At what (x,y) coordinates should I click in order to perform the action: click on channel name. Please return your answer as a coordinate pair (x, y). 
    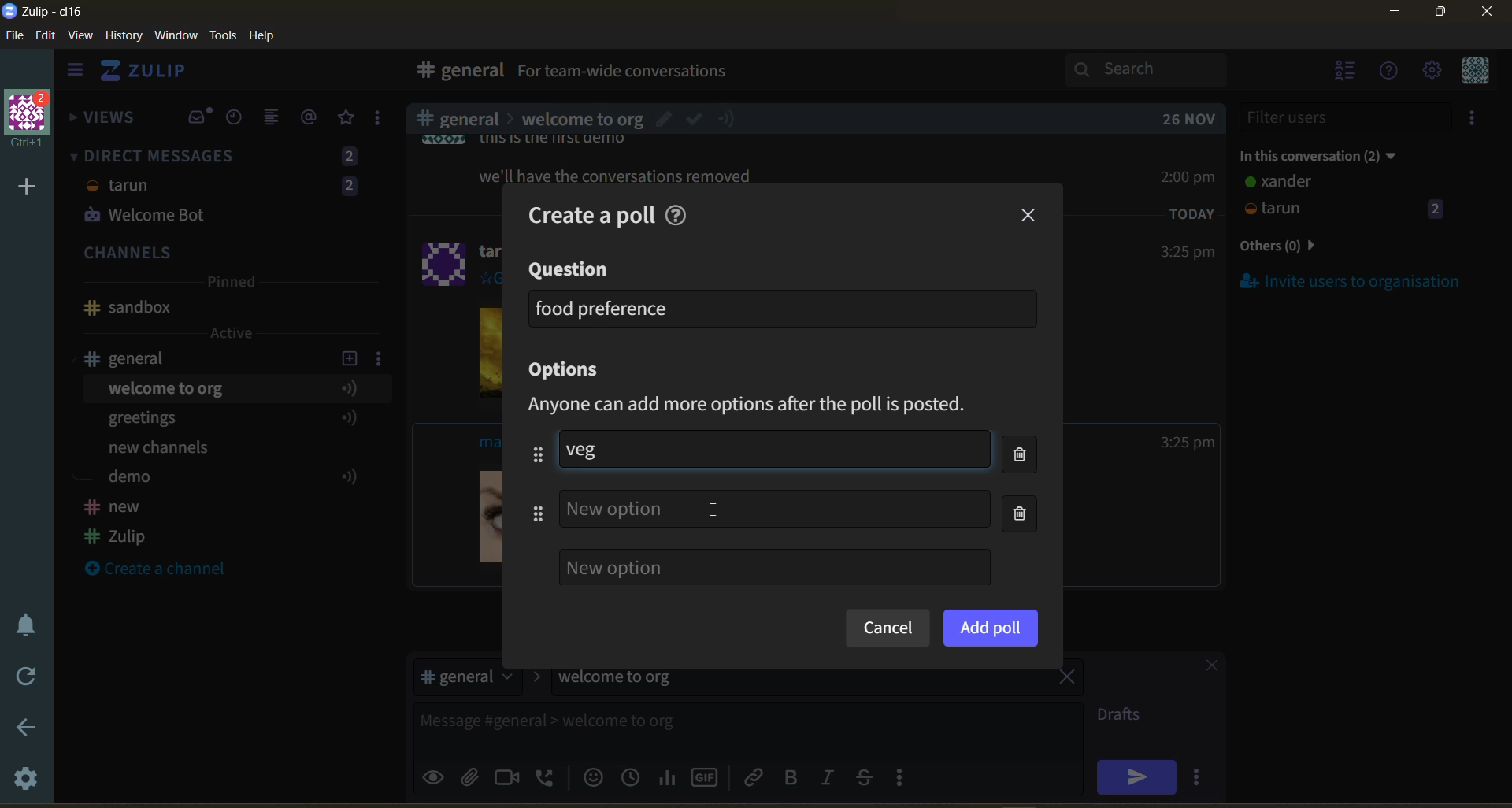
    Looking at the image, I should click on (136, 358).